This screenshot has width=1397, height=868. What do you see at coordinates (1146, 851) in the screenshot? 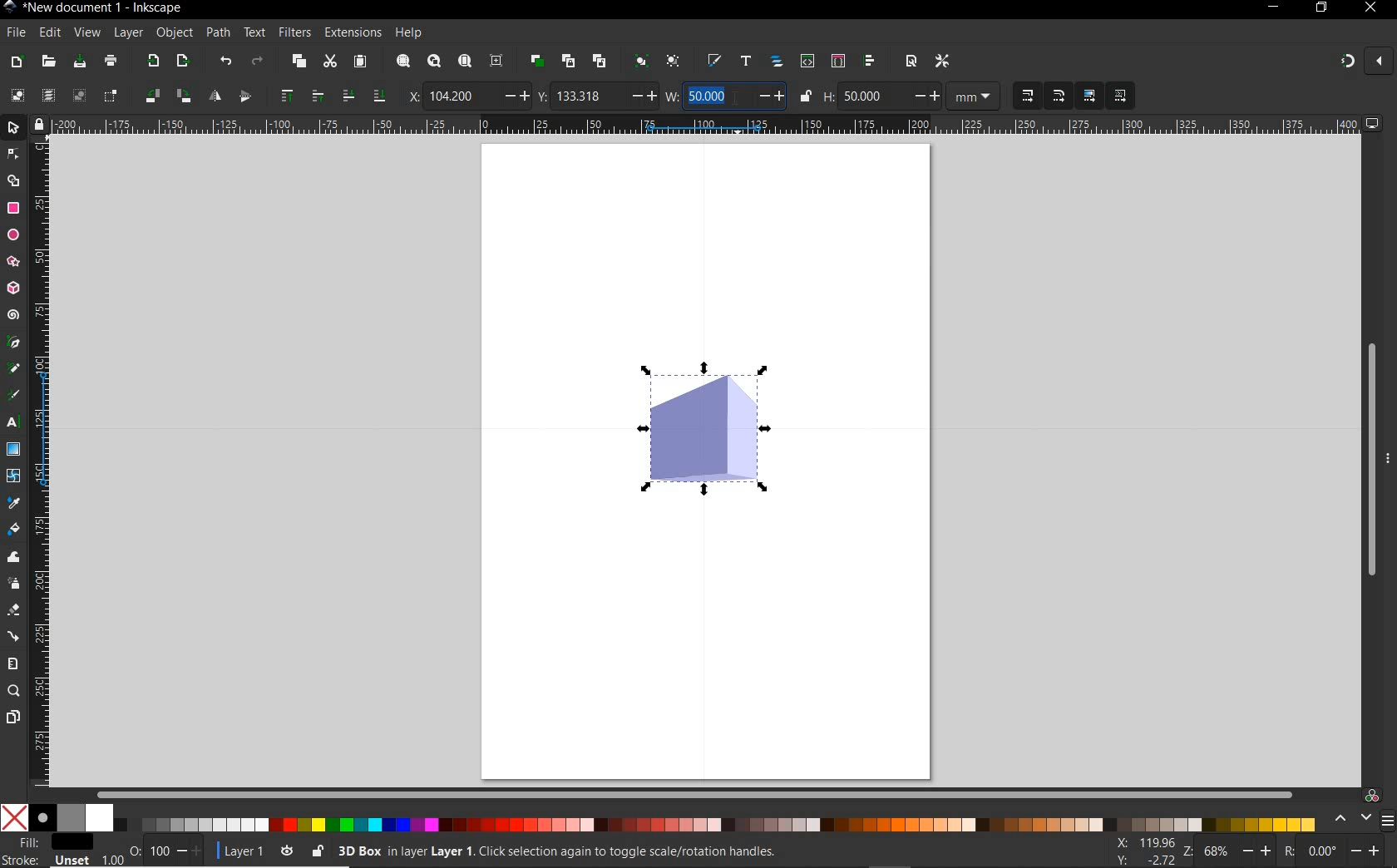
I see `cursor coordinates` at bounding box center [1146, 851].